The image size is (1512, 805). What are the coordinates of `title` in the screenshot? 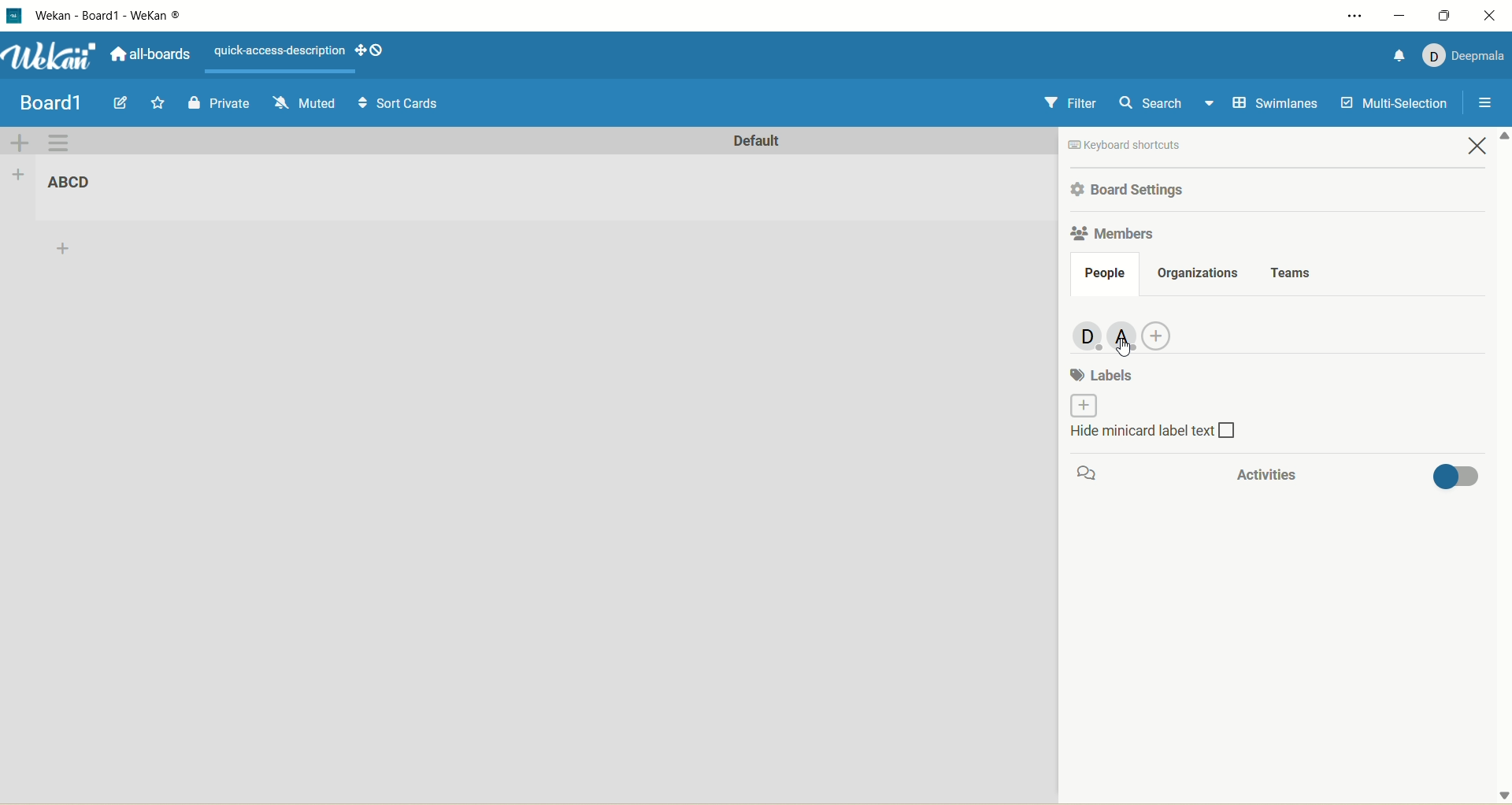 It's located at (76, 184).